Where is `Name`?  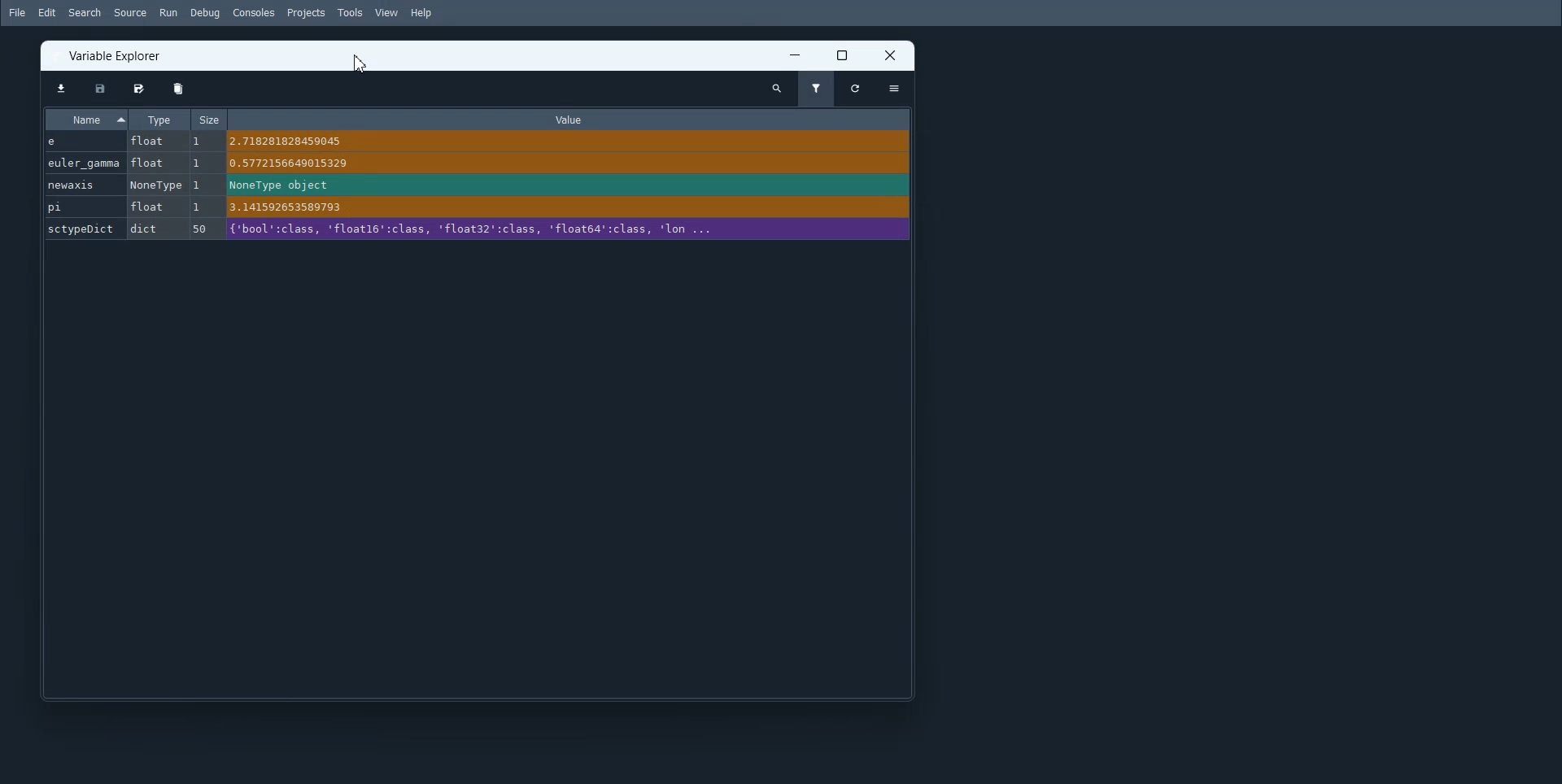
Name is located at coordinates (86, 119).